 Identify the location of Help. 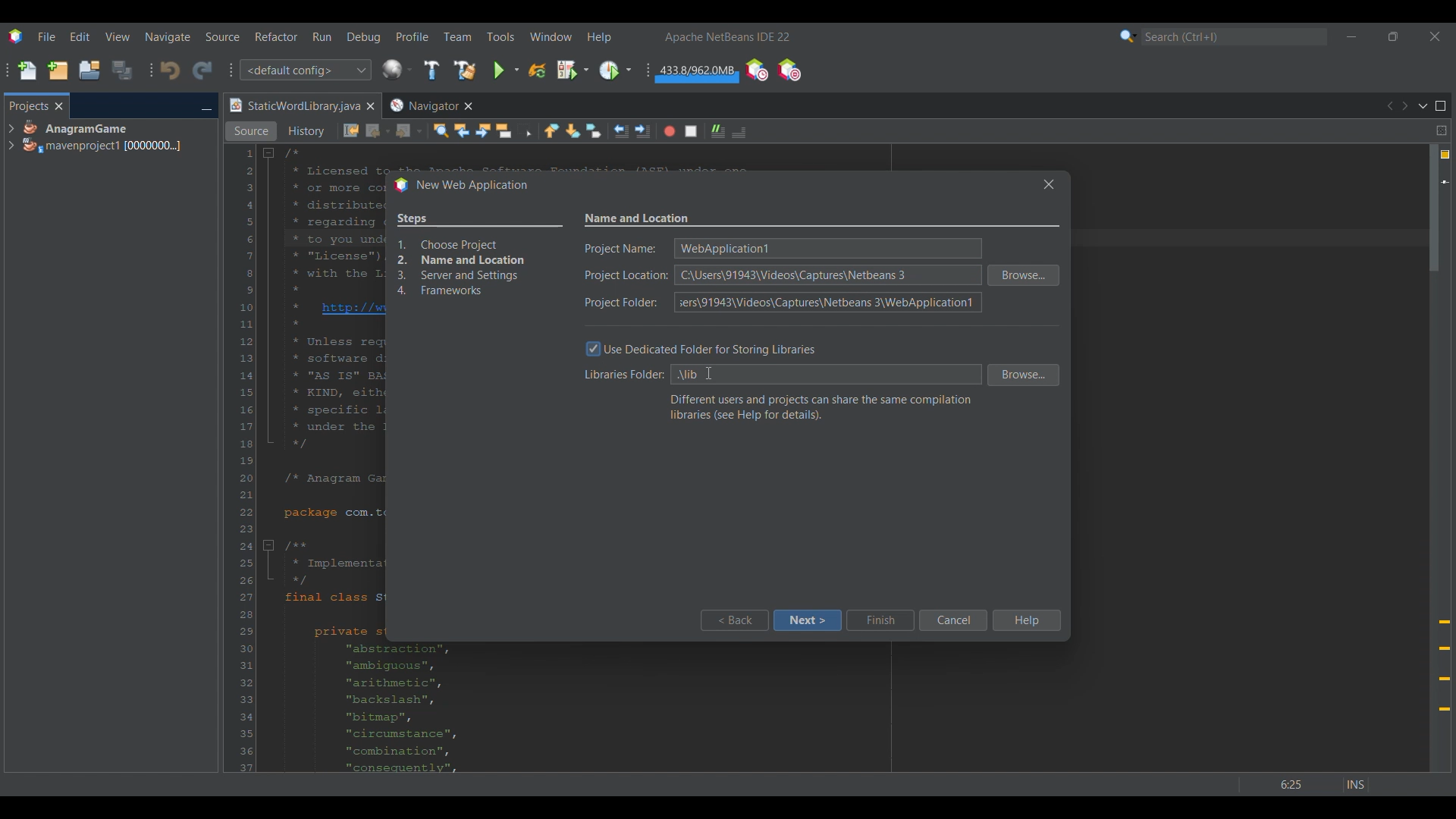
(1025, 620).